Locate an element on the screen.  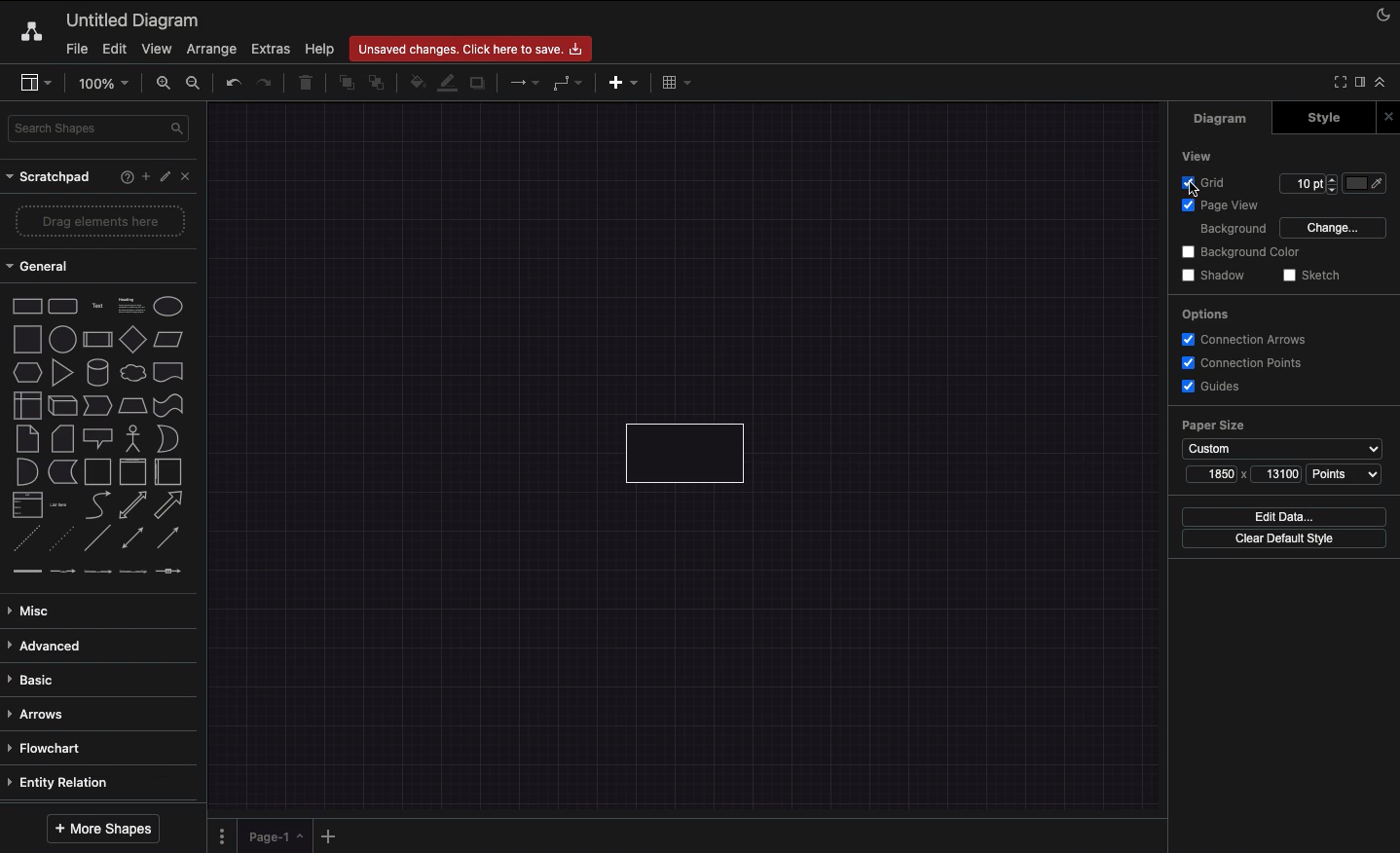
Diagram is located at coordinates (138, 18).